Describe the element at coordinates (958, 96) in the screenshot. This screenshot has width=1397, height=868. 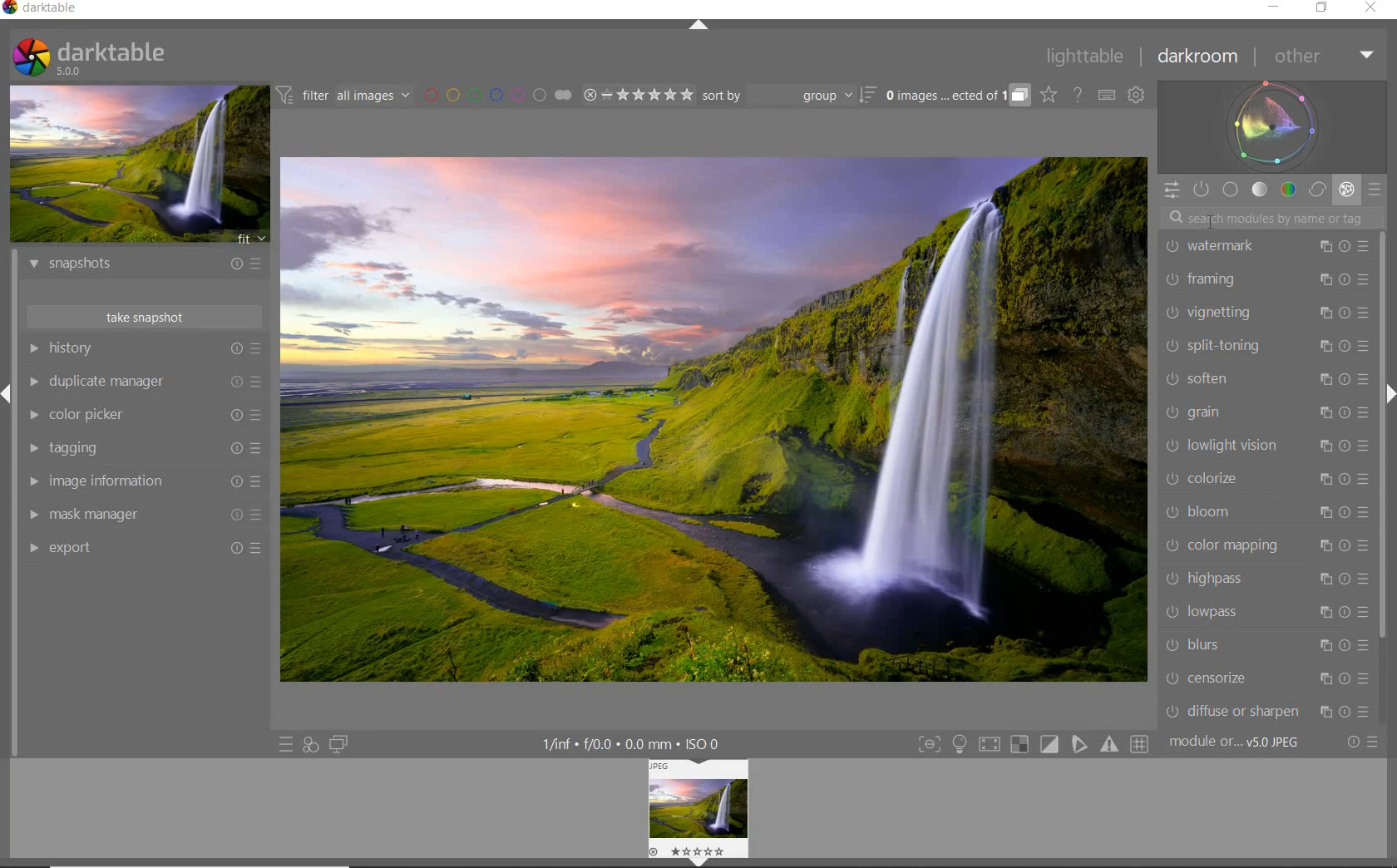
I see `EXPAND GROUPED IMAGES` at that location.